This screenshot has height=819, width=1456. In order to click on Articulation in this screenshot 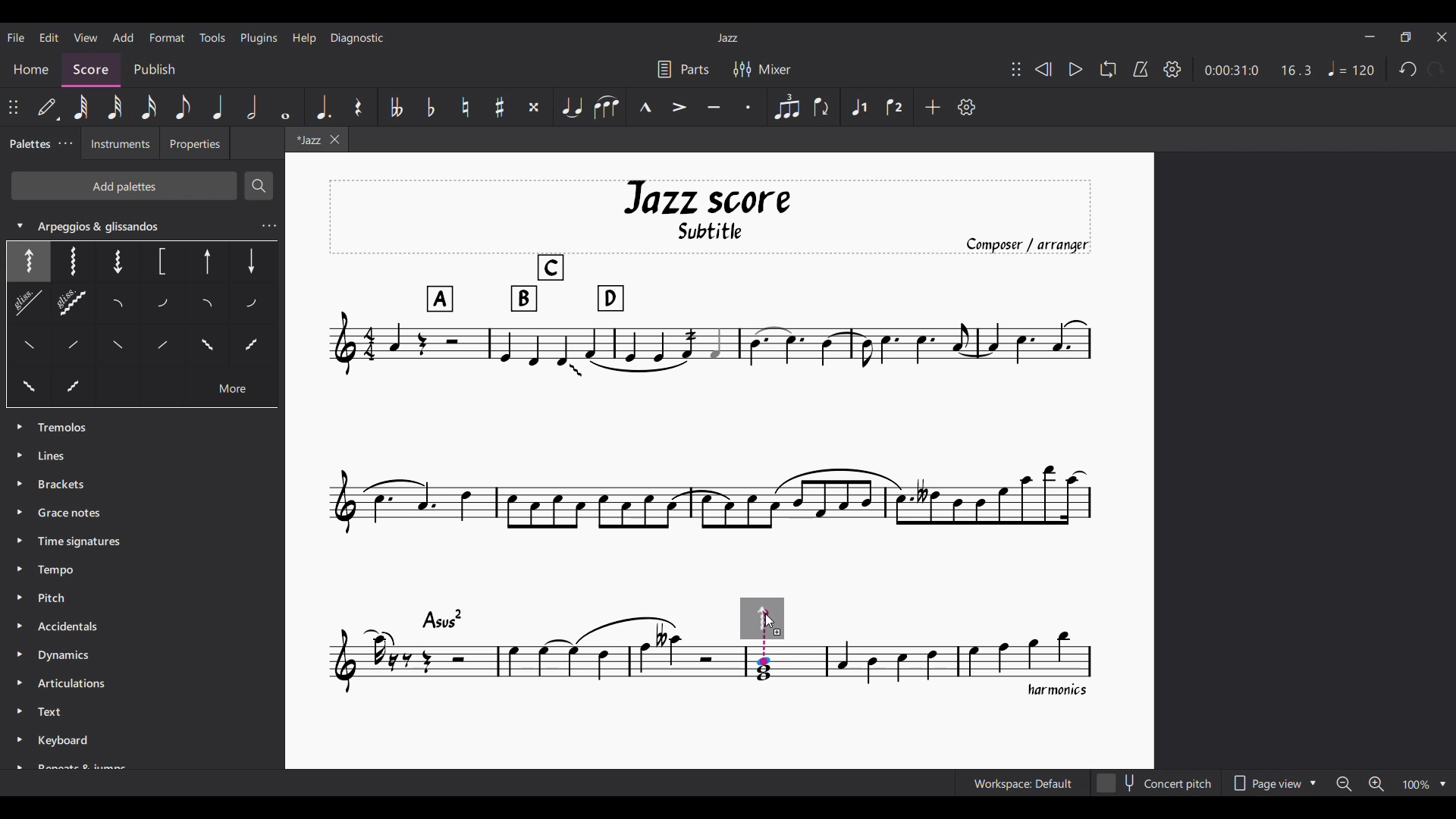, I will do `click(76, 686)`.